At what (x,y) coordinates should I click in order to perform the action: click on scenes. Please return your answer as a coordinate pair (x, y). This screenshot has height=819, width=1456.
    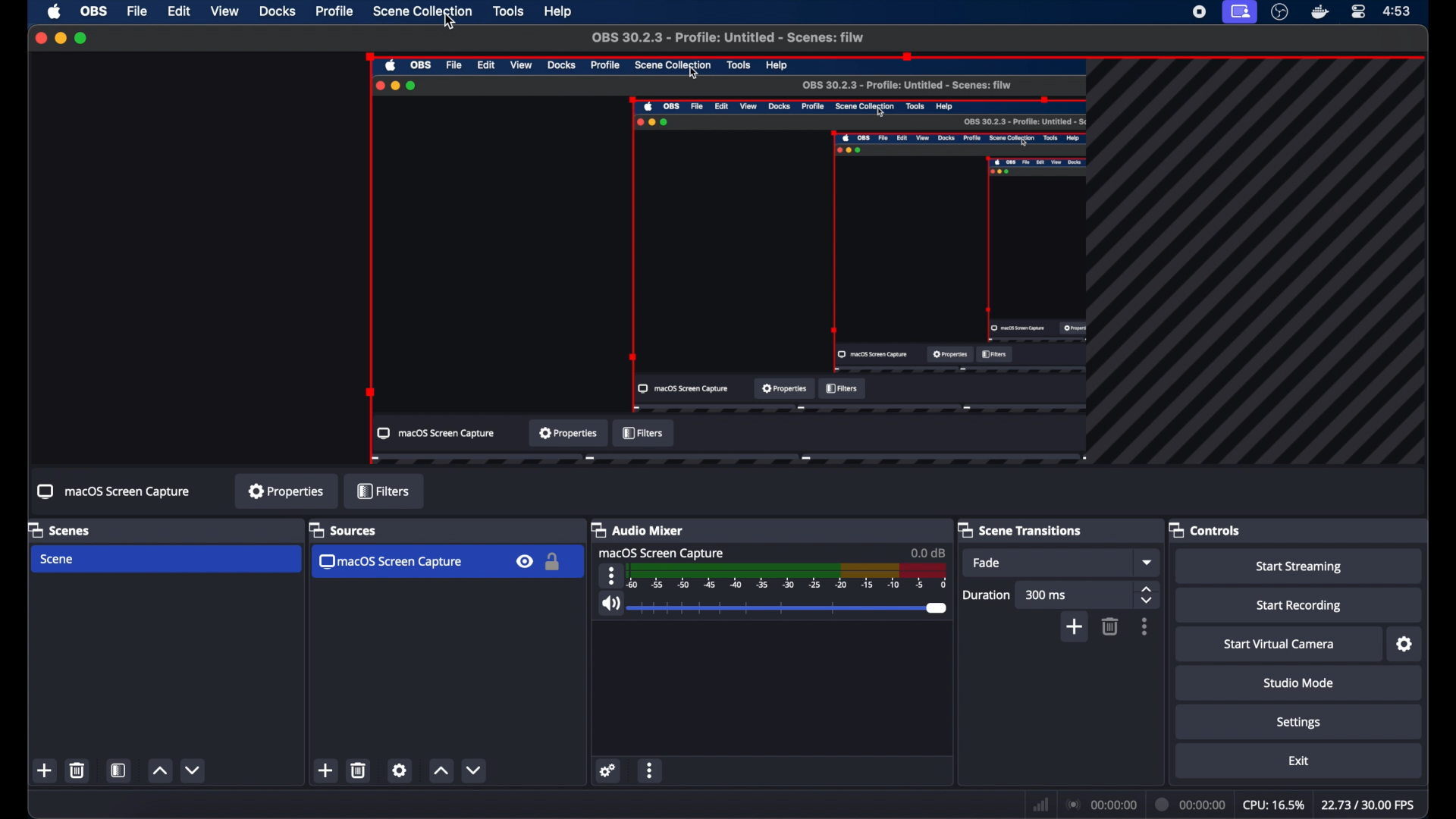
    Looking at the image, I should click on (61, 529).